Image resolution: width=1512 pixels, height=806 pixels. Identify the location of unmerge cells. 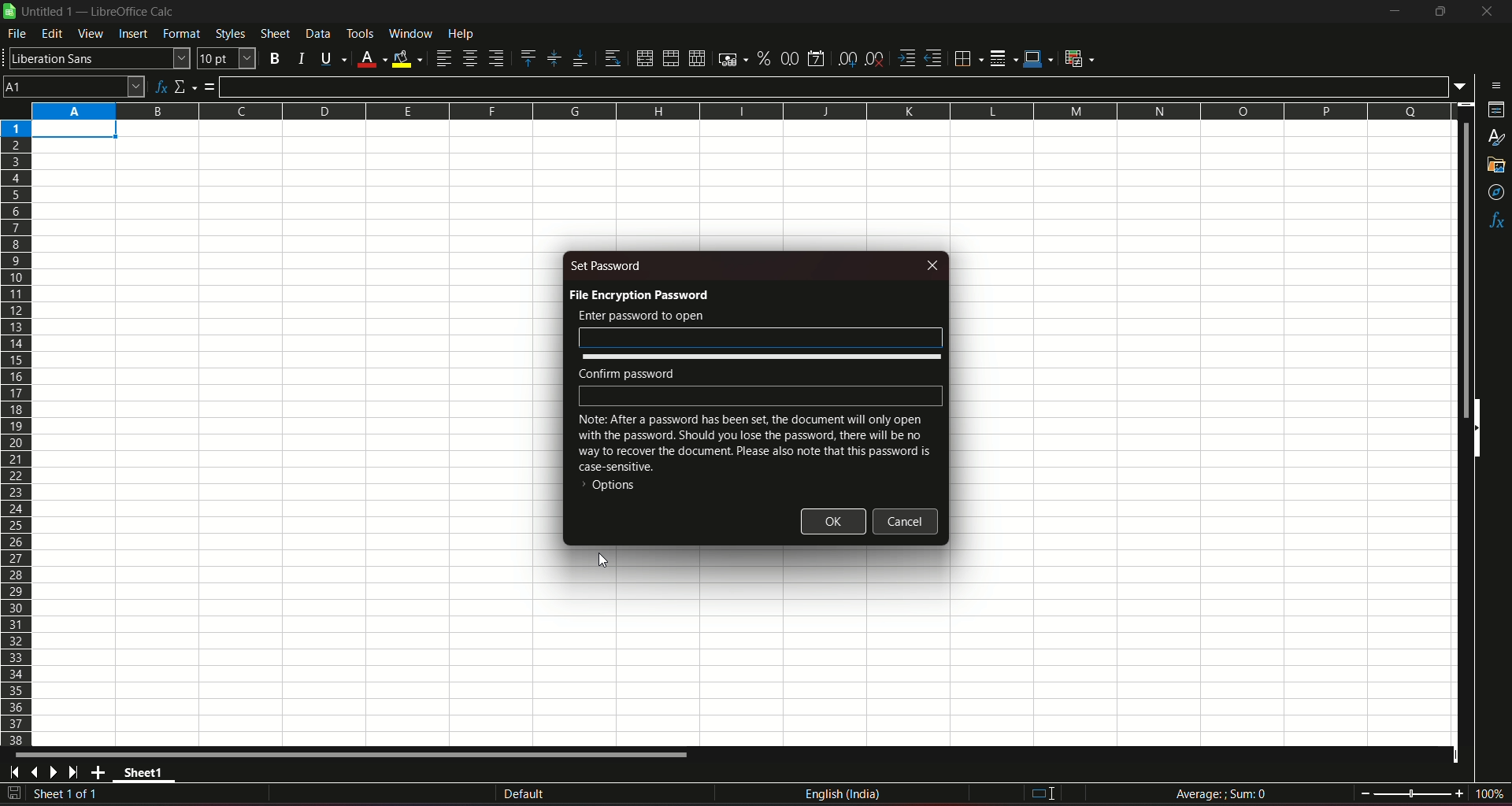
(696, 57).